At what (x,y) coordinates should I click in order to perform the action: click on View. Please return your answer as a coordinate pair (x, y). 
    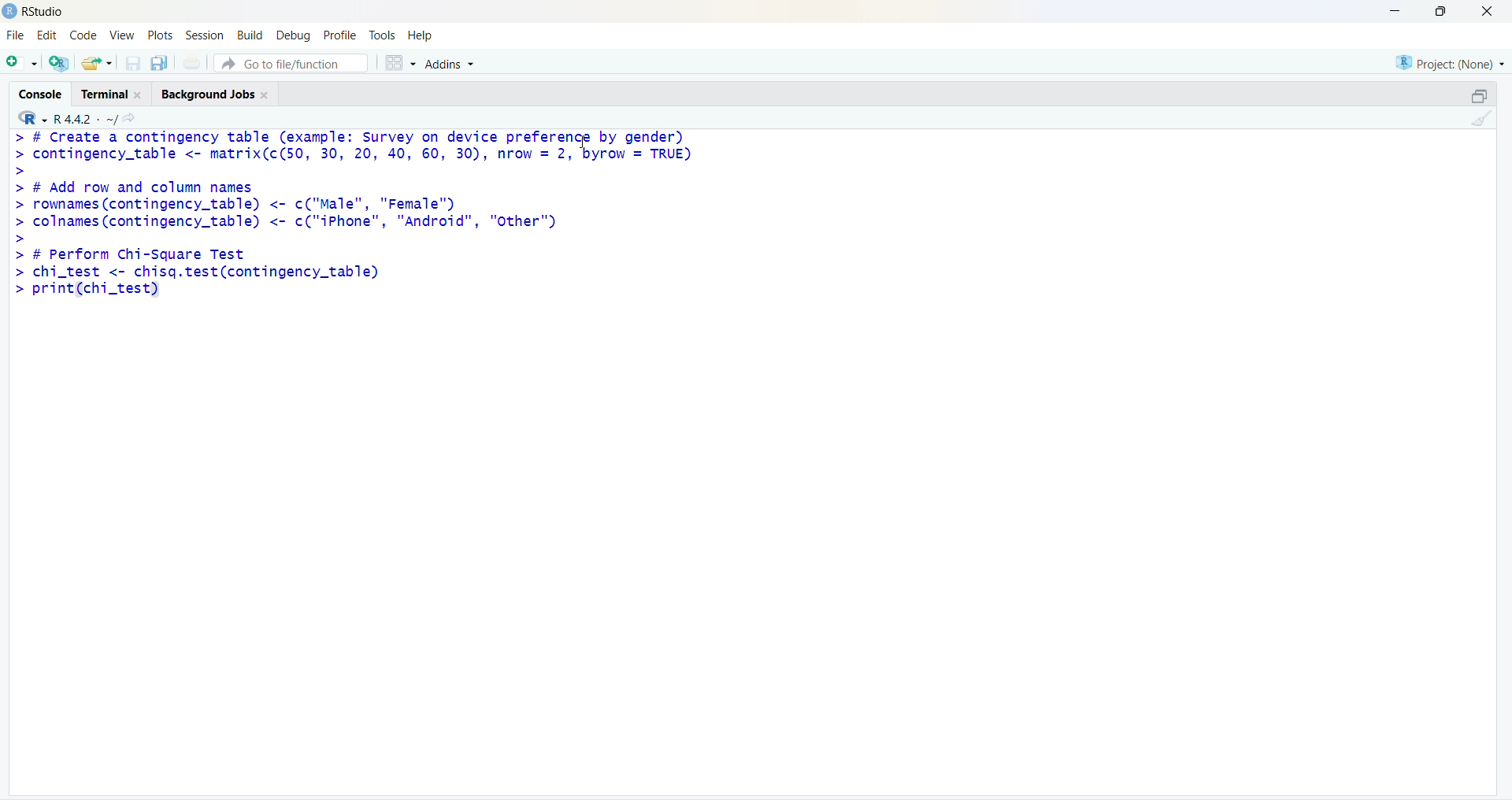
    Looking at the image, I should click on (123, 35).